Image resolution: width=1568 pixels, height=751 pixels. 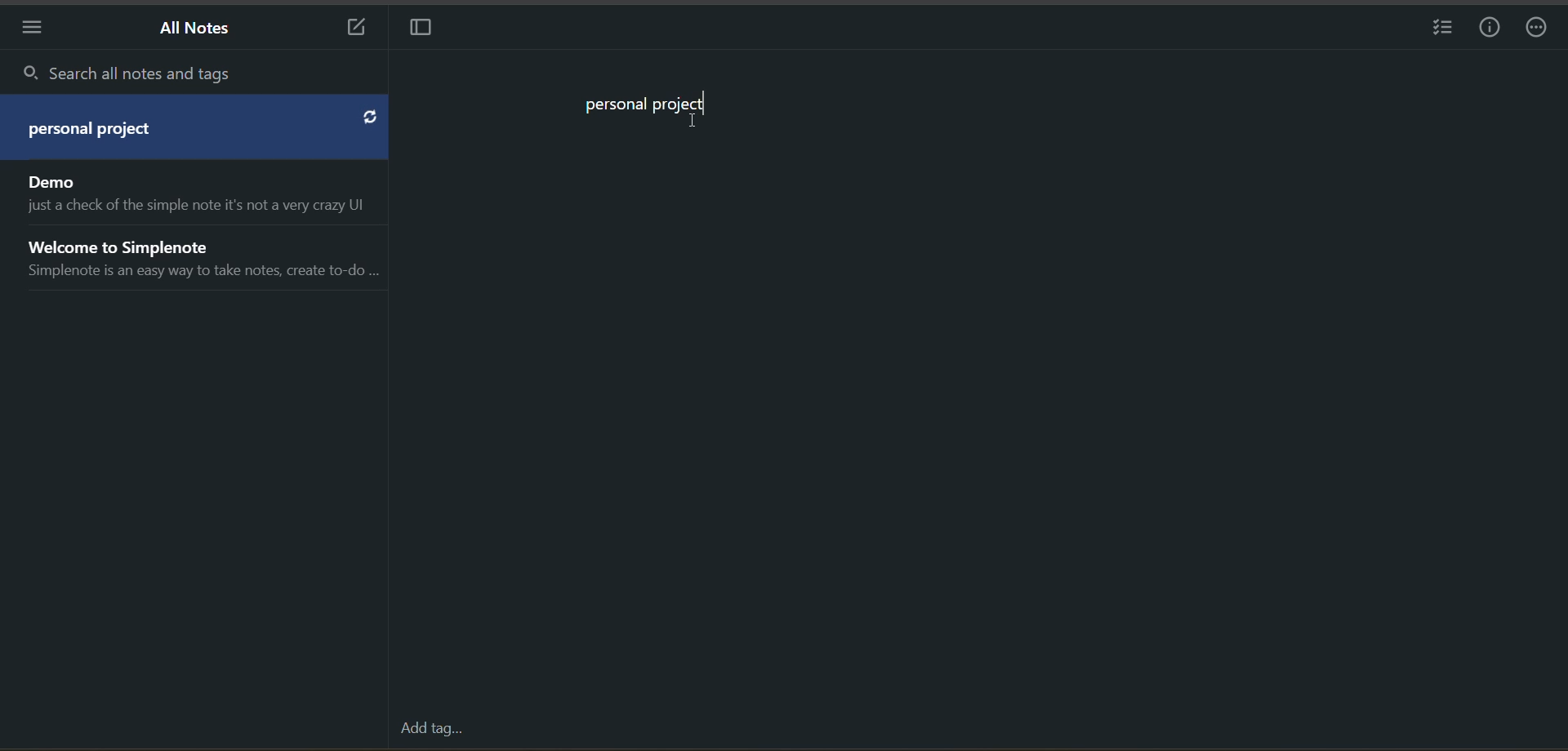 I want to click on note title or heading, so click(x=98, y=132).